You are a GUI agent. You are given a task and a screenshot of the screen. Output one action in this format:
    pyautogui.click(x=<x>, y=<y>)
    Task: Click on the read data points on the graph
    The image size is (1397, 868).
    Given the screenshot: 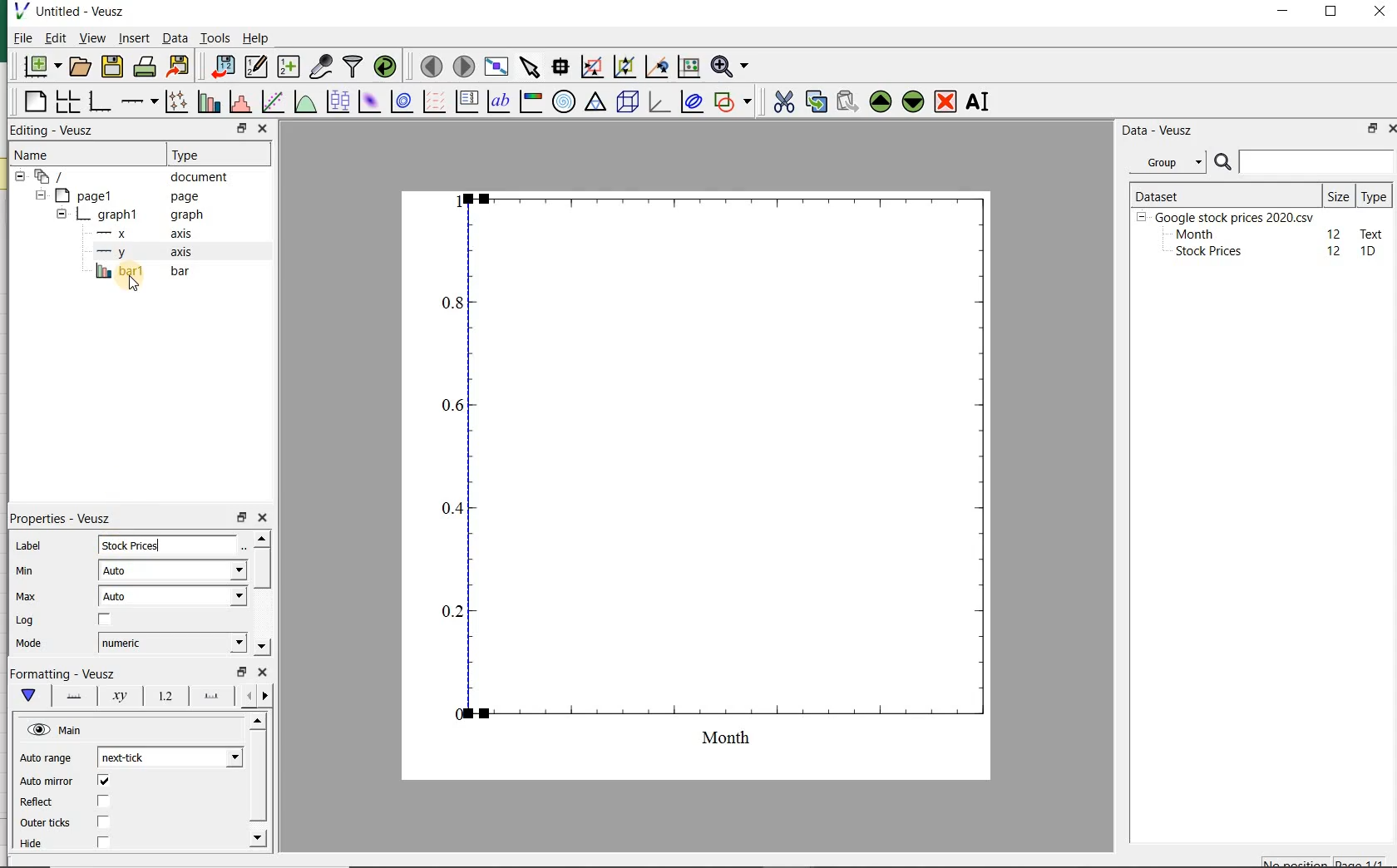 What is the action you would take?
    pyautogui.click(x=559, y=67)
    